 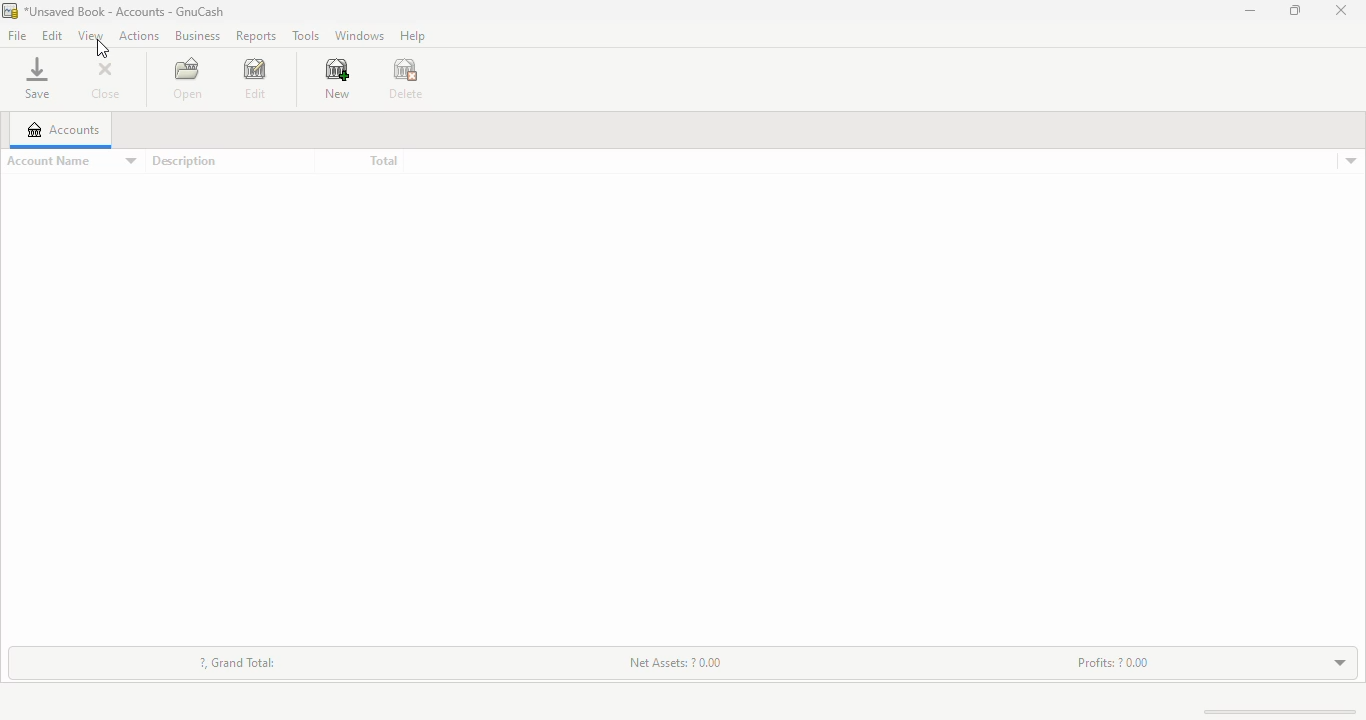 What do you see at coordinates (677, 661) in the screenshot?
I see `net assets: ? 0.00` at bounding box center [677, 661].